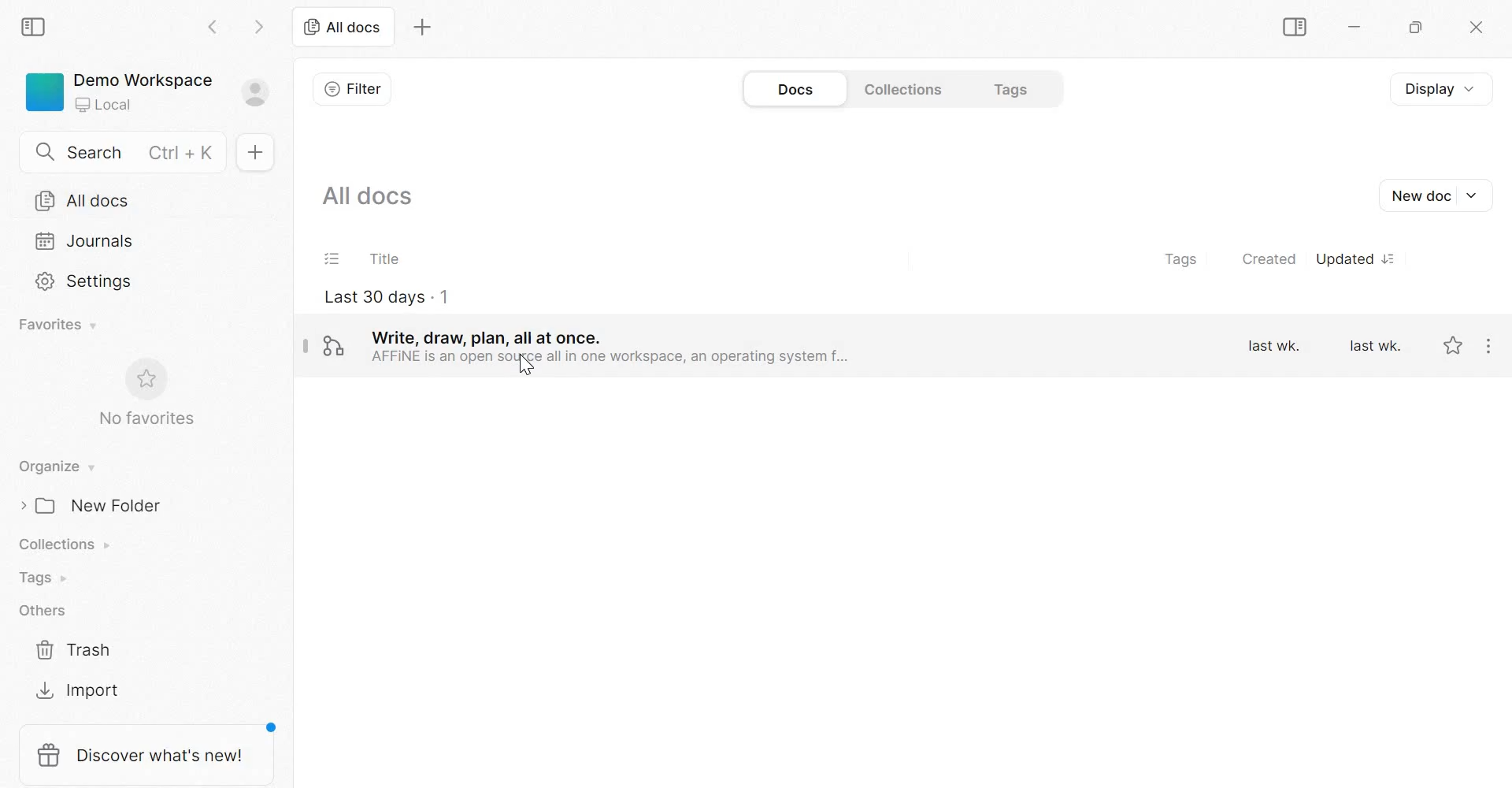 Image resolution: width=1512 pixels, height=788 pixels. I want to click on Trash, so click(73, 647).